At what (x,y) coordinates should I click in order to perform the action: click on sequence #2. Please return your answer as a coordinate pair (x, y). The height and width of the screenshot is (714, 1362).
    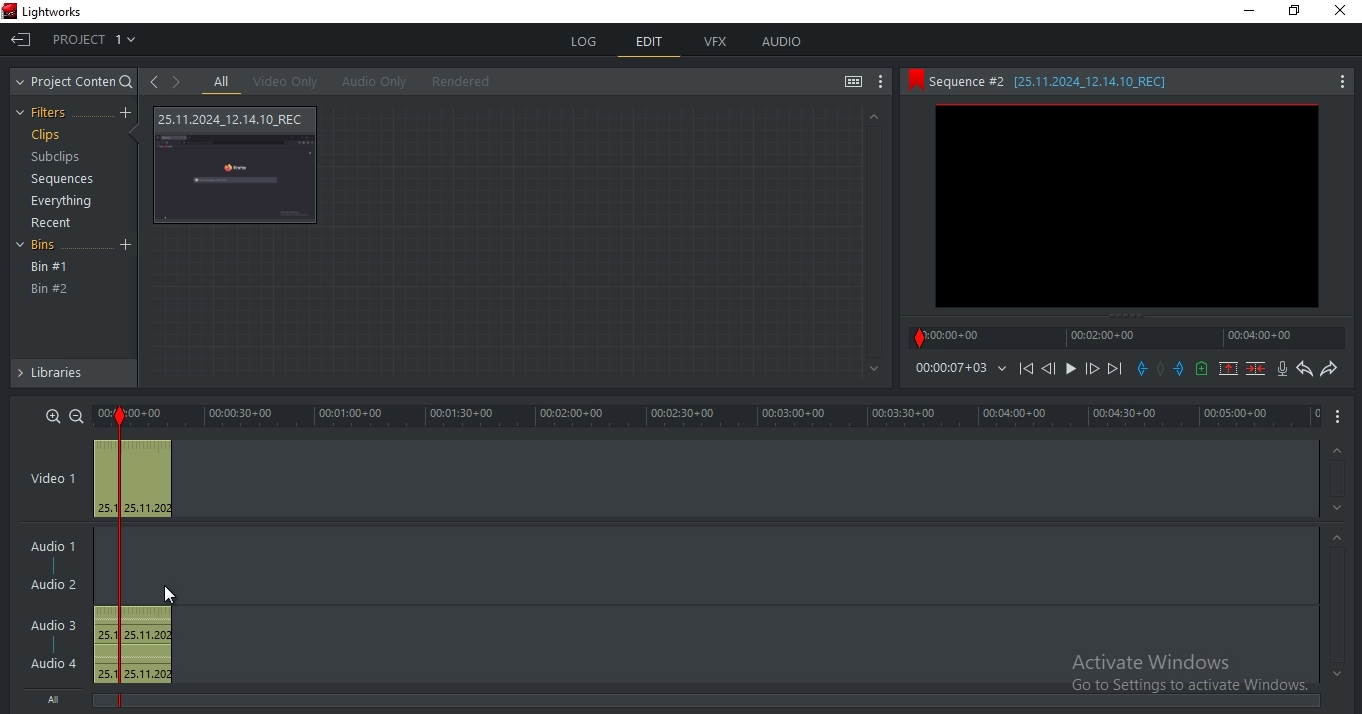
    Looking at the image, I should click on (1105, 82).